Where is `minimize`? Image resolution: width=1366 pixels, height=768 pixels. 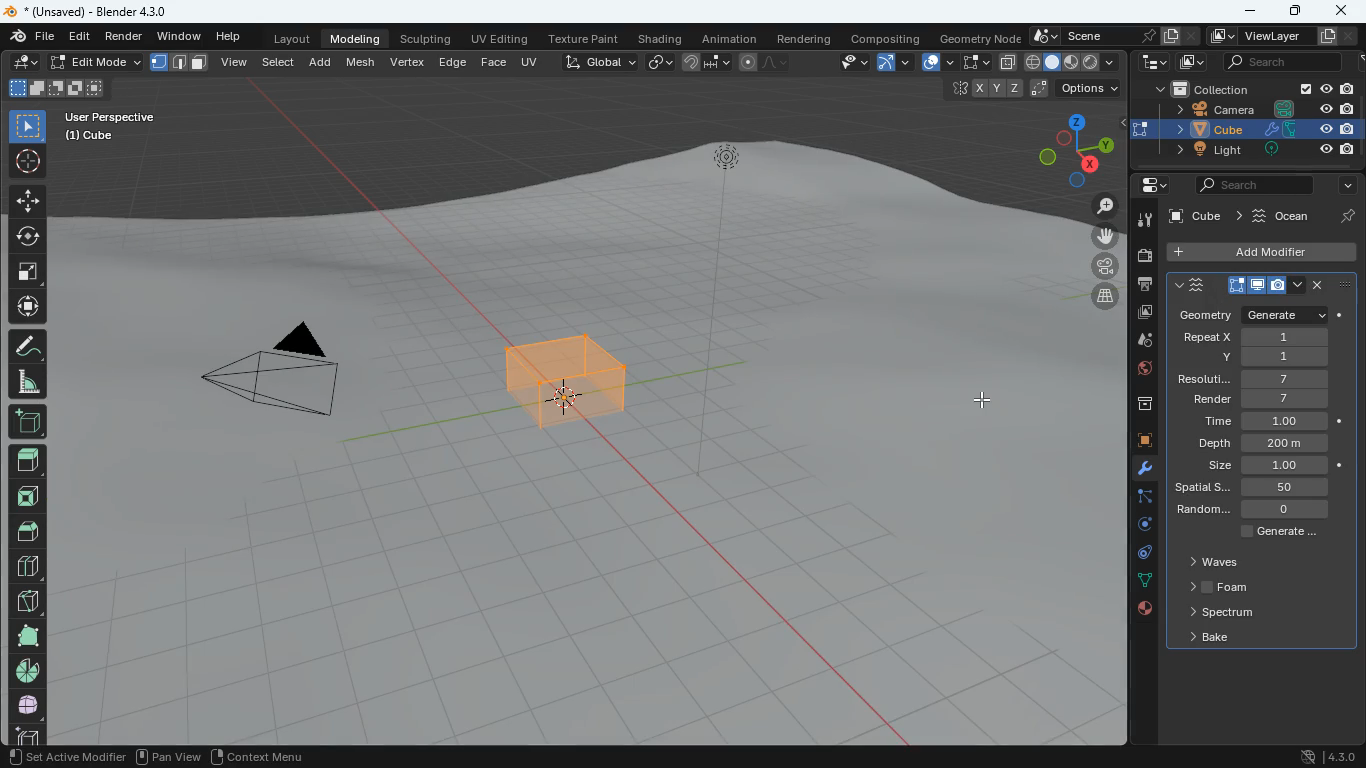 minimize is located at coordinates (1252, 12).